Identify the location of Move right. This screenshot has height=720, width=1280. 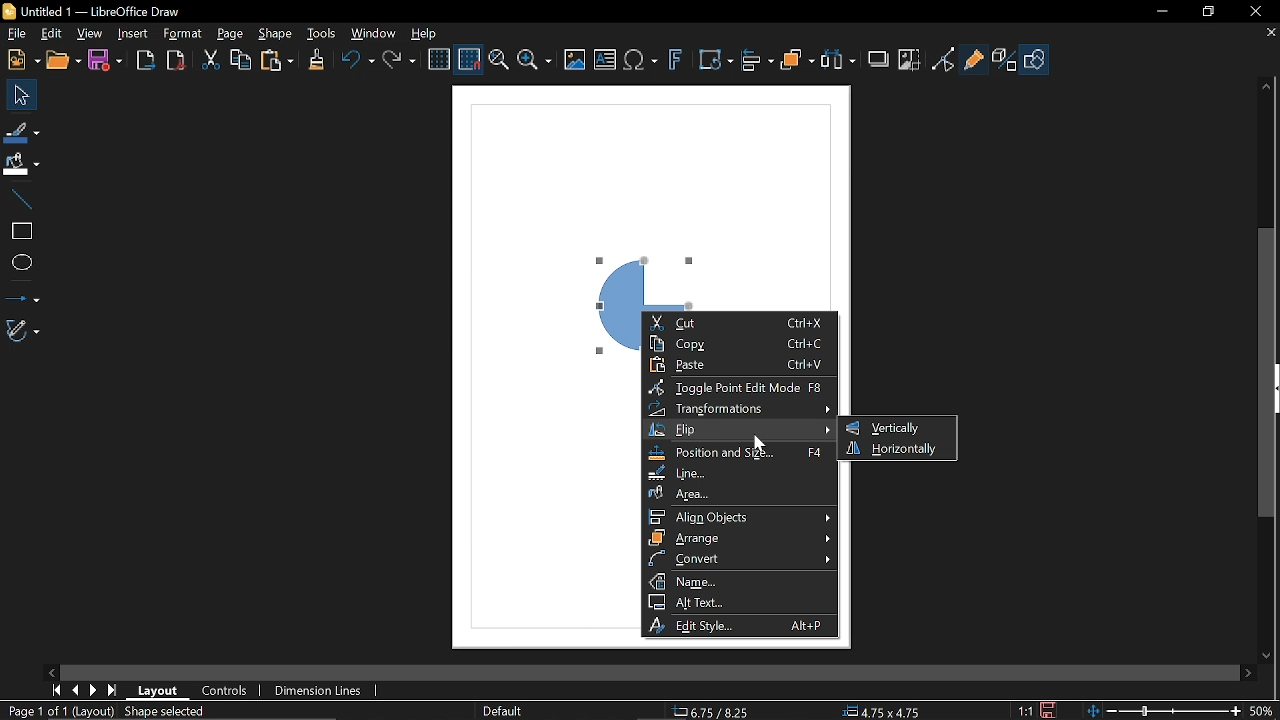
(1245, 672).